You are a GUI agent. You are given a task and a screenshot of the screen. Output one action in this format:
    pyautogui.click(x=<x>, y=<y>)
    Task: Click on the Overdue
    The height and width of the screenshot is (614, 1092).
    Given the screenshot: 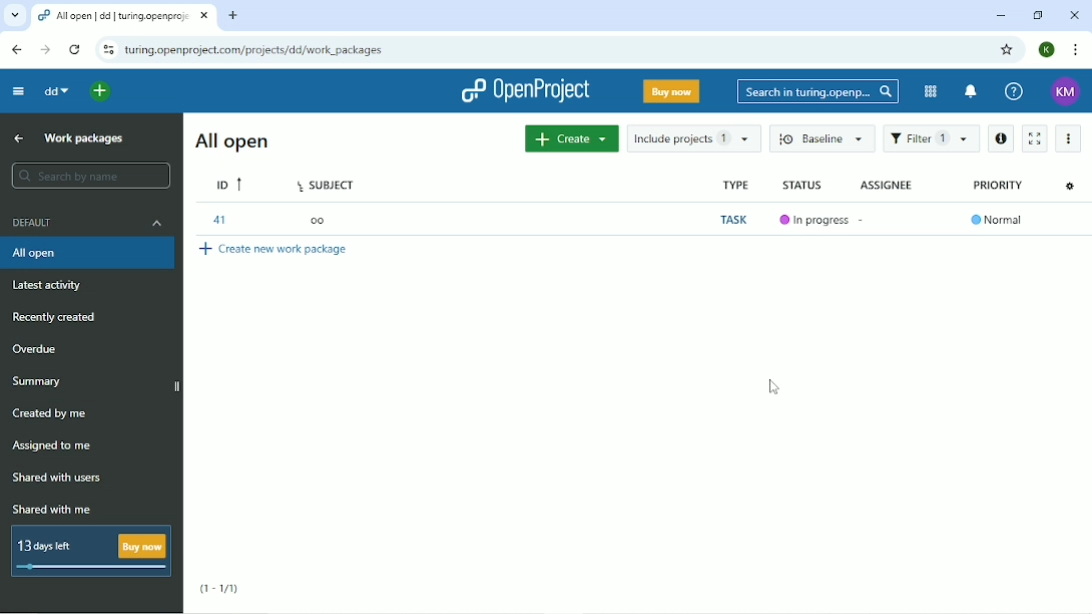 What is the action you would take?
    pyautogui.click(x=35, y=350)
    